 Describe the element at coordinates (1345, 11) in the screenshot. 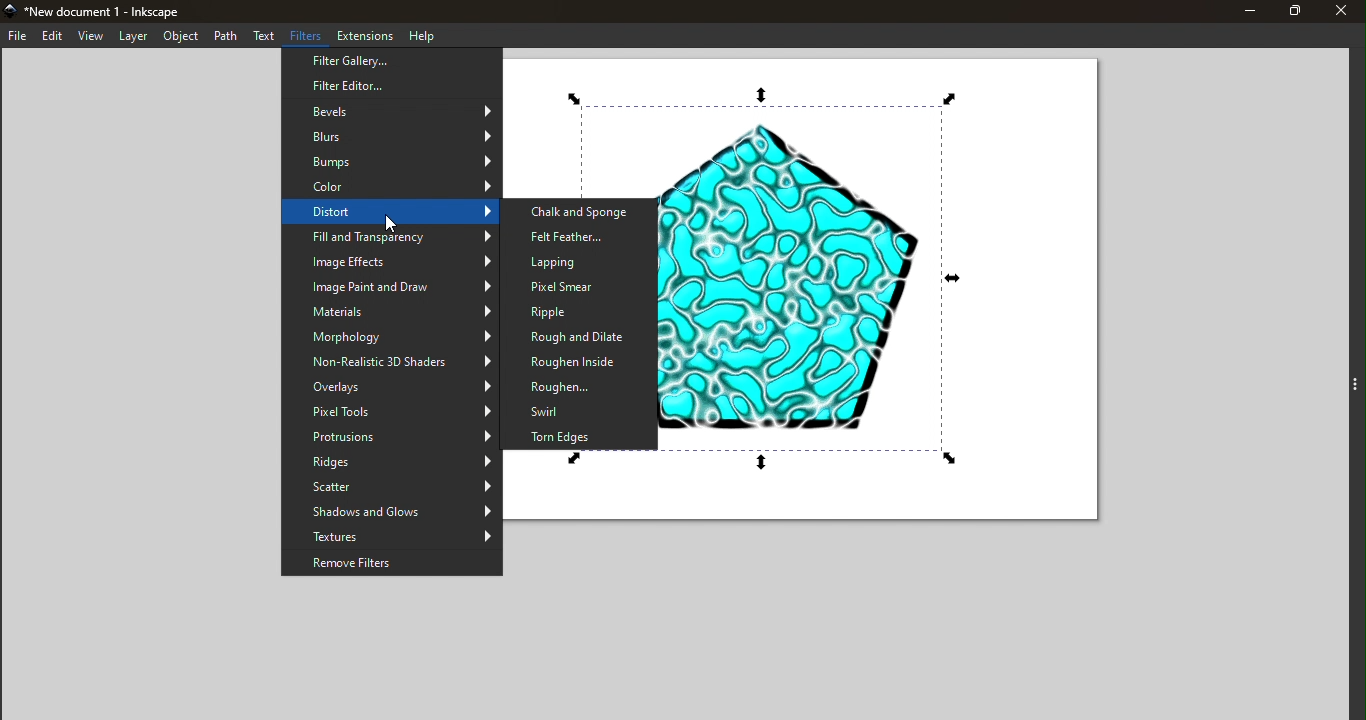

I see `Close` at that location.